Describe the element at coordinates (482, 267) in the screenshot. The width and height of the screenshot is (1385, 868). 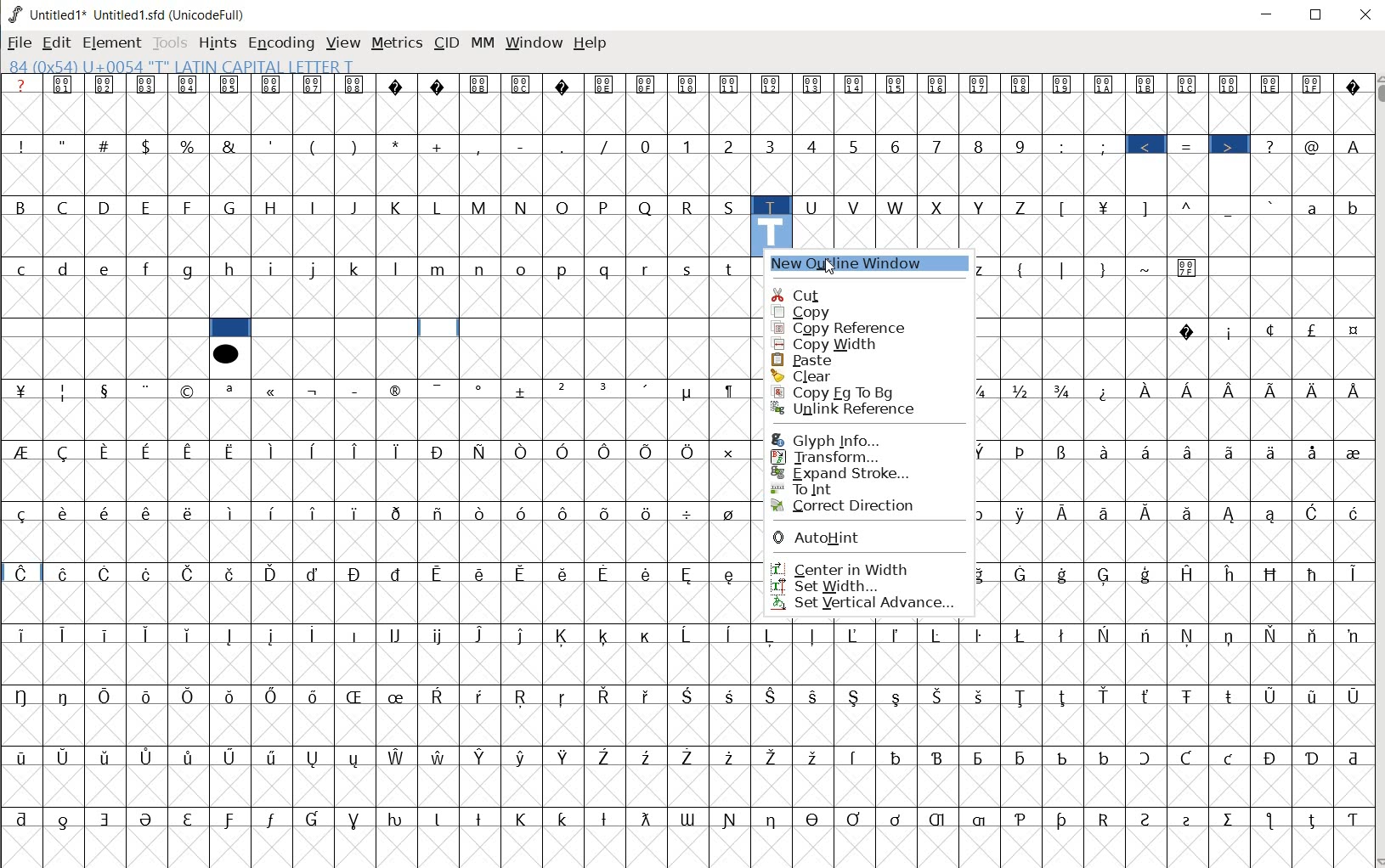
I see `n` at that location.